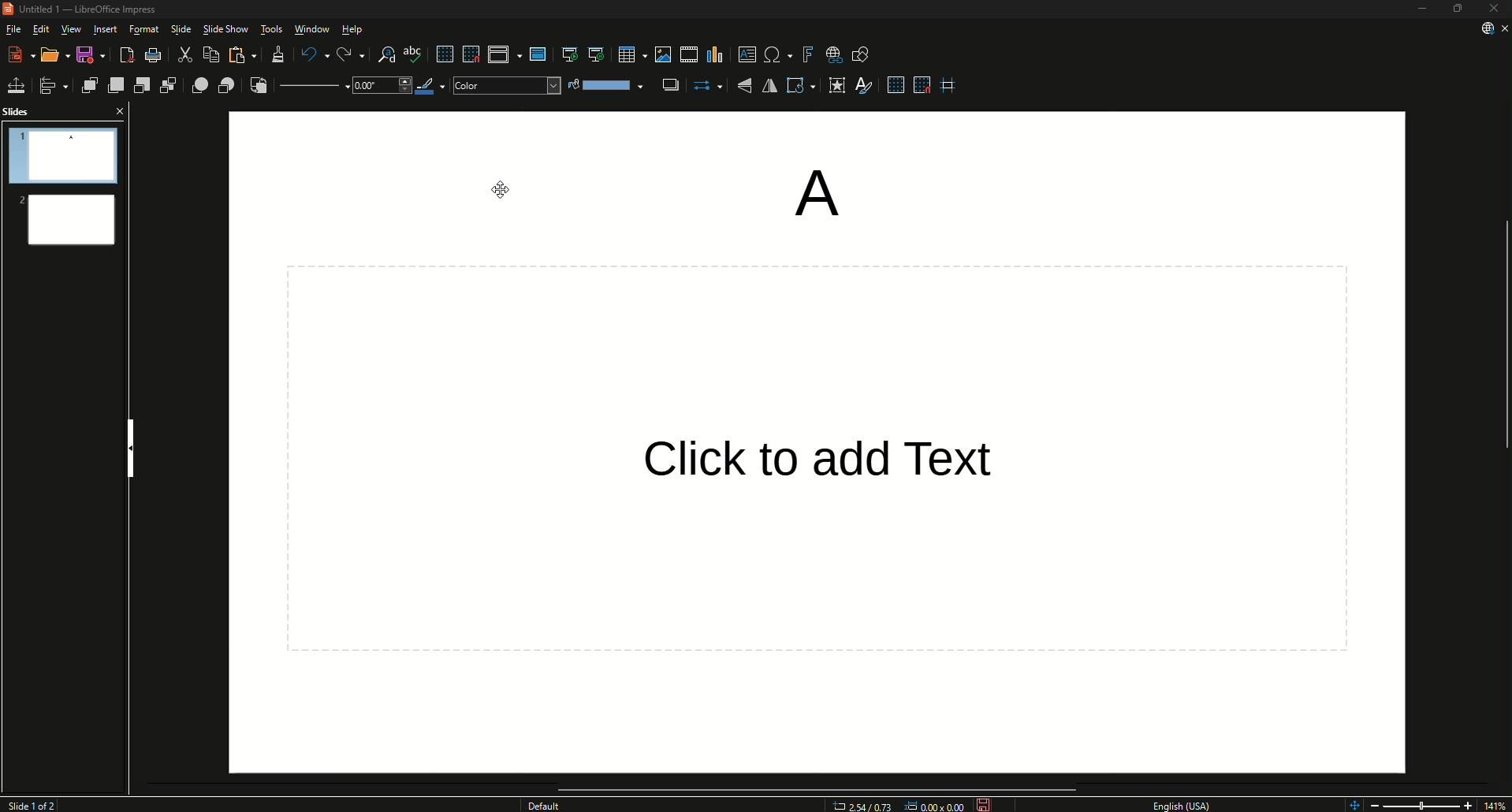  What do you see at coordinates (1480, 28) in the screenshot?
I see `Updates Available` at bounding box center [1480, 28].